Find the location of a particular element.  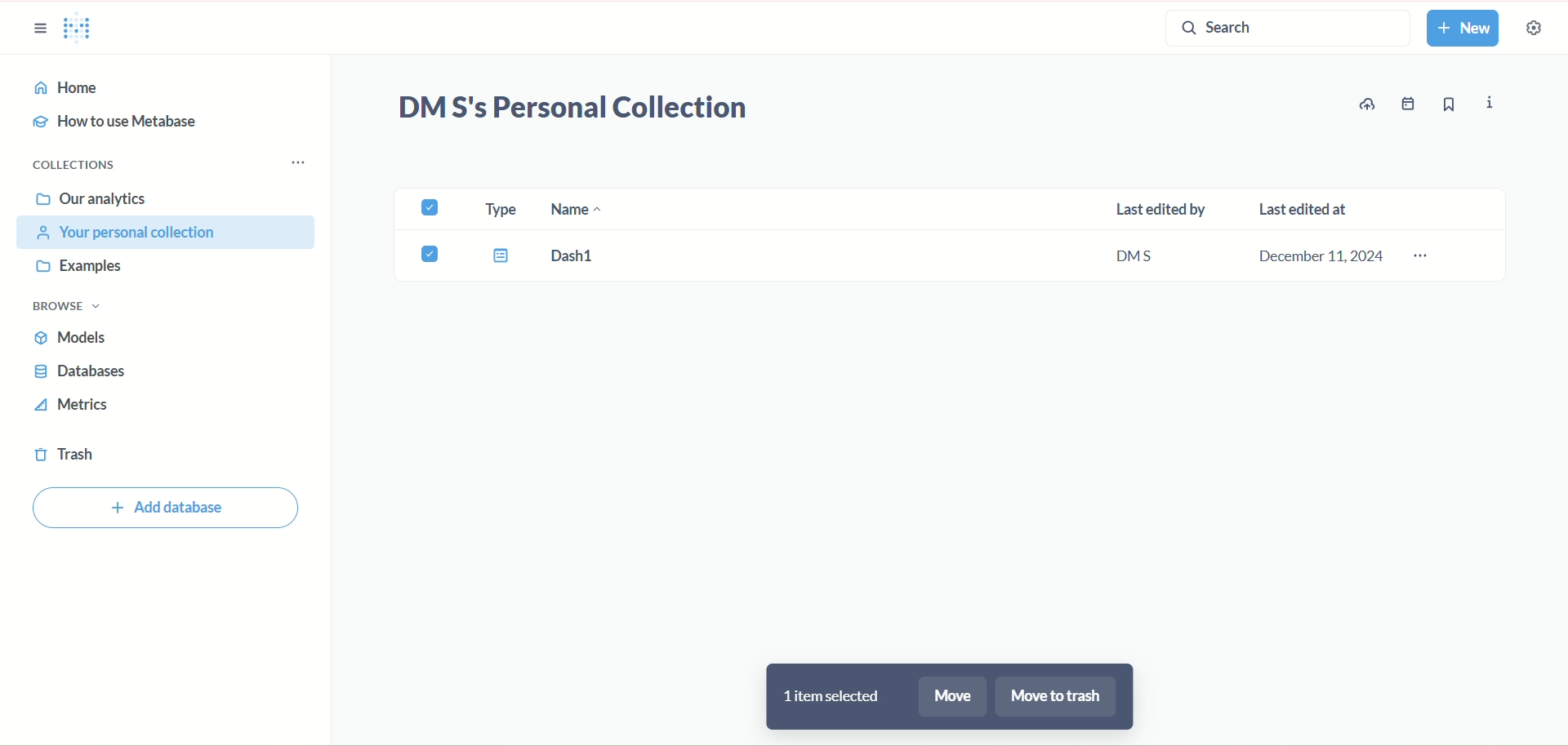

type is located at coordinates (498, 208).